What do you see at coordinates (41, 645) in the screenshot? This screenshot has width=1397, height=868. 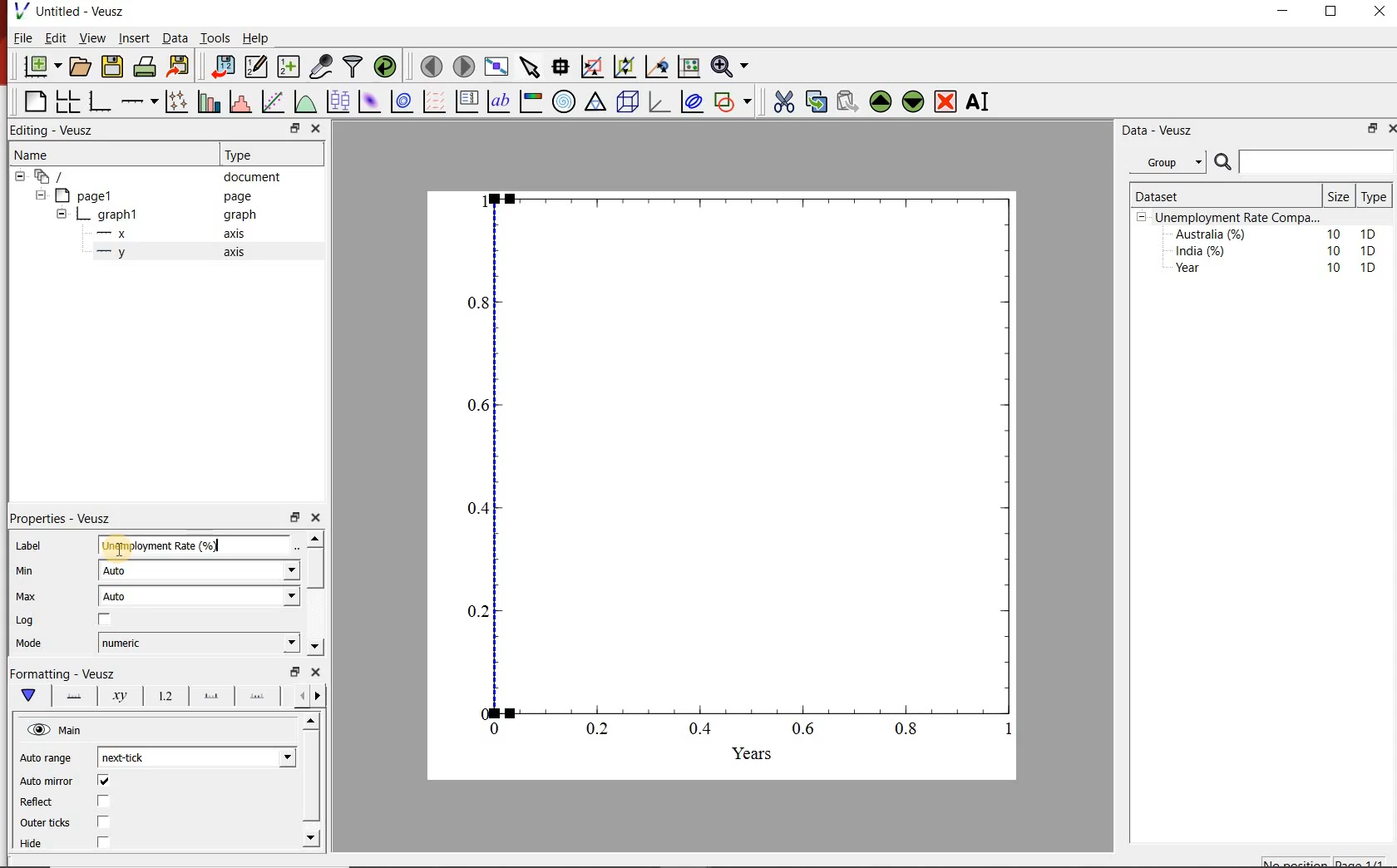 I see `Mode` at bounding box center [41, 645].